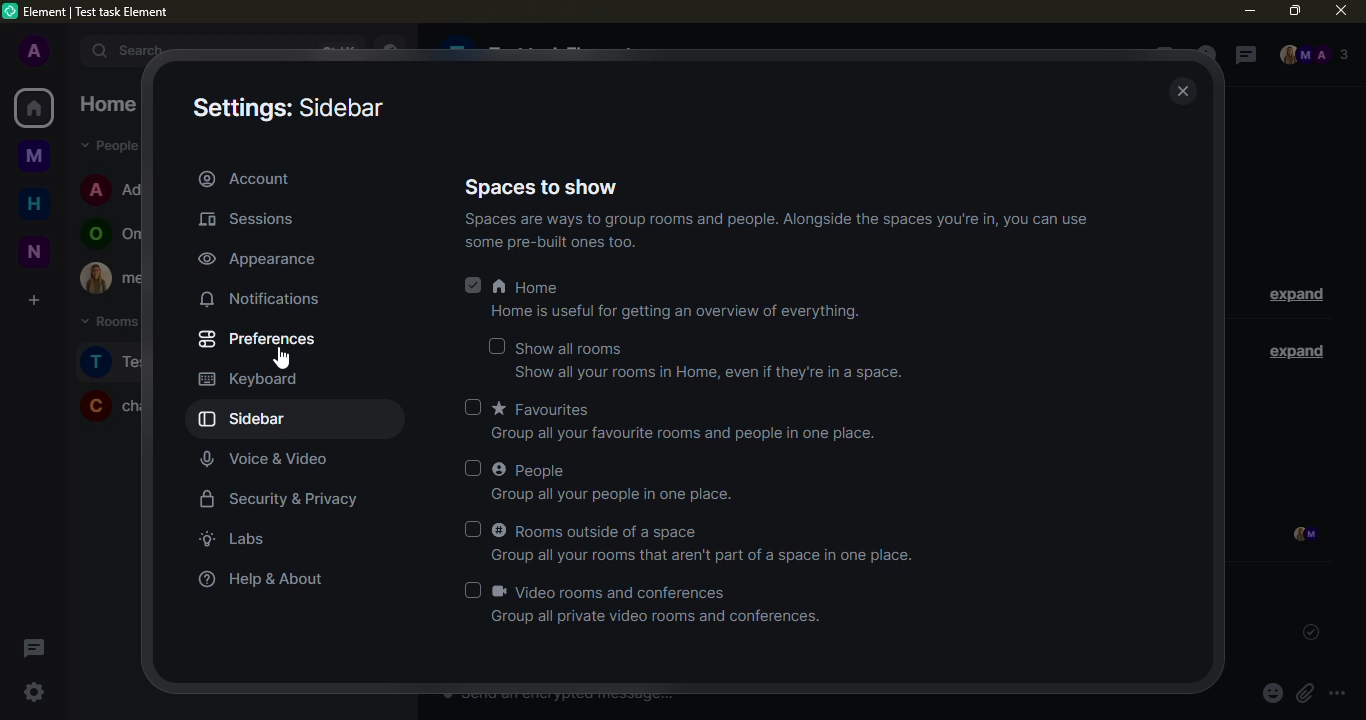 The image size is (1366, 720). What do you see at coordinates (1306, 632) in the screenshot?
I see `sent` at bounding box center [1306, 632].